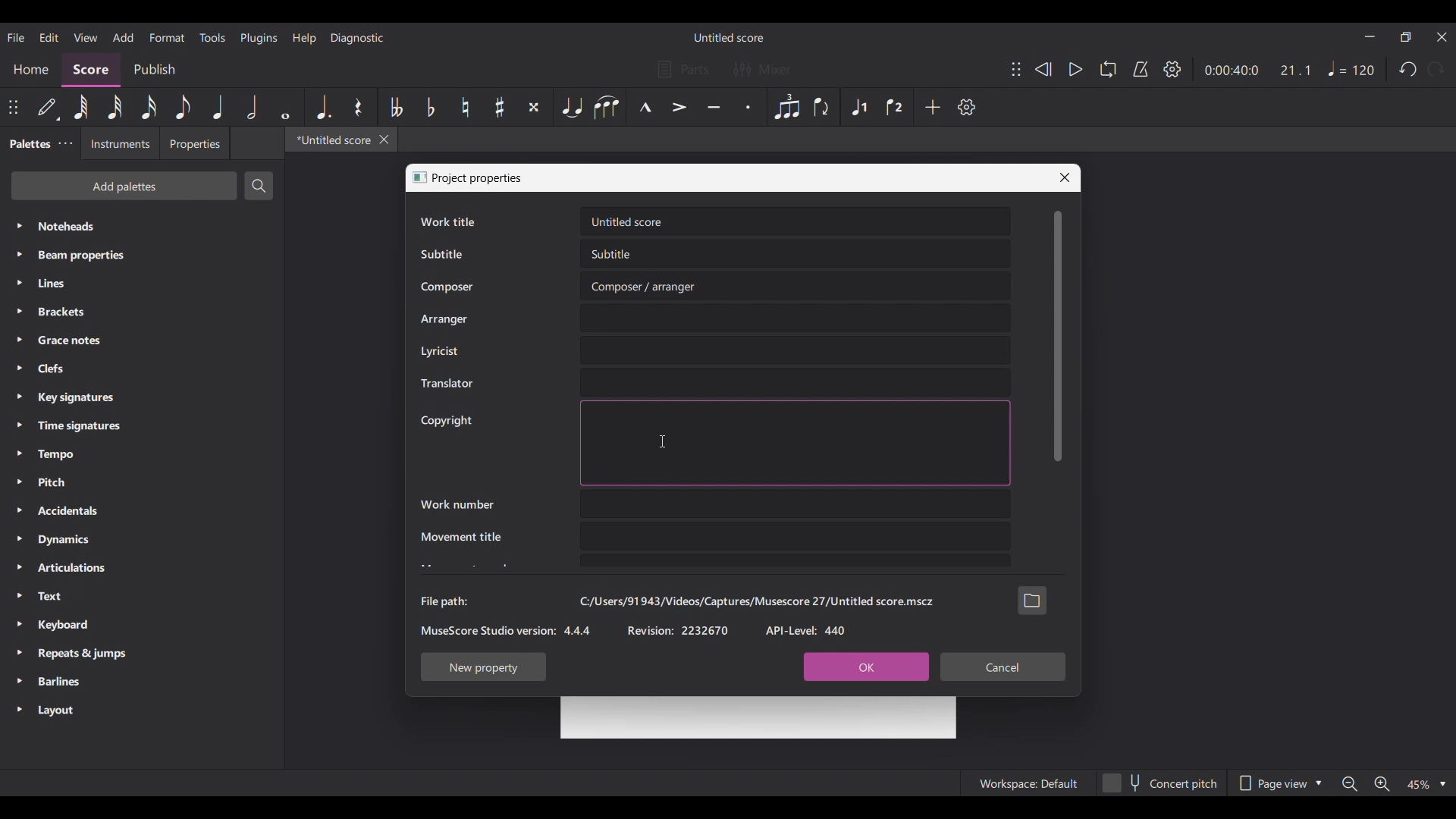 The image size is (1456, 819). Describe the element at coordinates (444, 601) in the screenshot. I see `File path:` at that location.